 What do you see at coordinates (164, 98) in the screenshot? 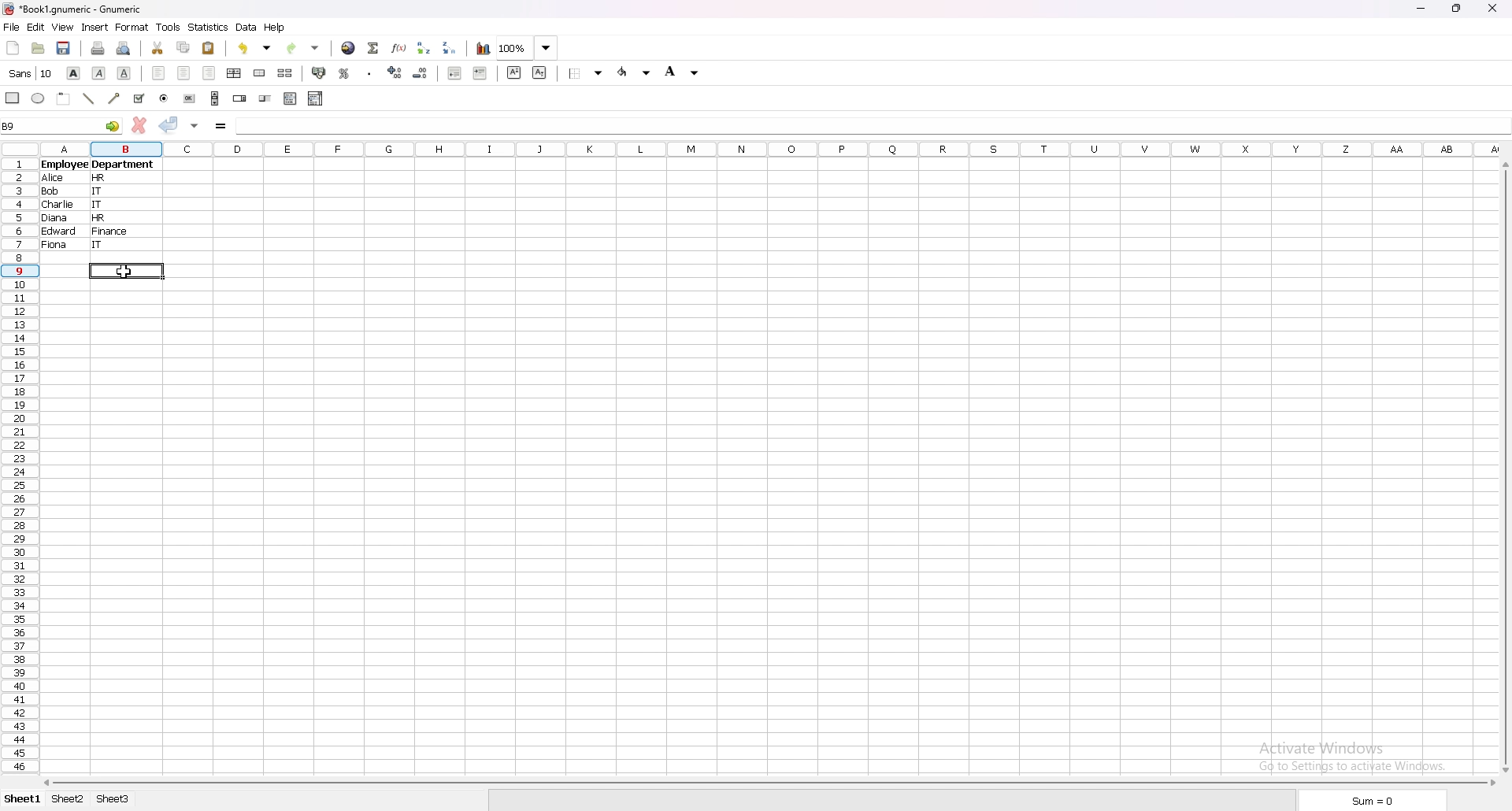
I see `radio button` at bounding box center [164, 98].